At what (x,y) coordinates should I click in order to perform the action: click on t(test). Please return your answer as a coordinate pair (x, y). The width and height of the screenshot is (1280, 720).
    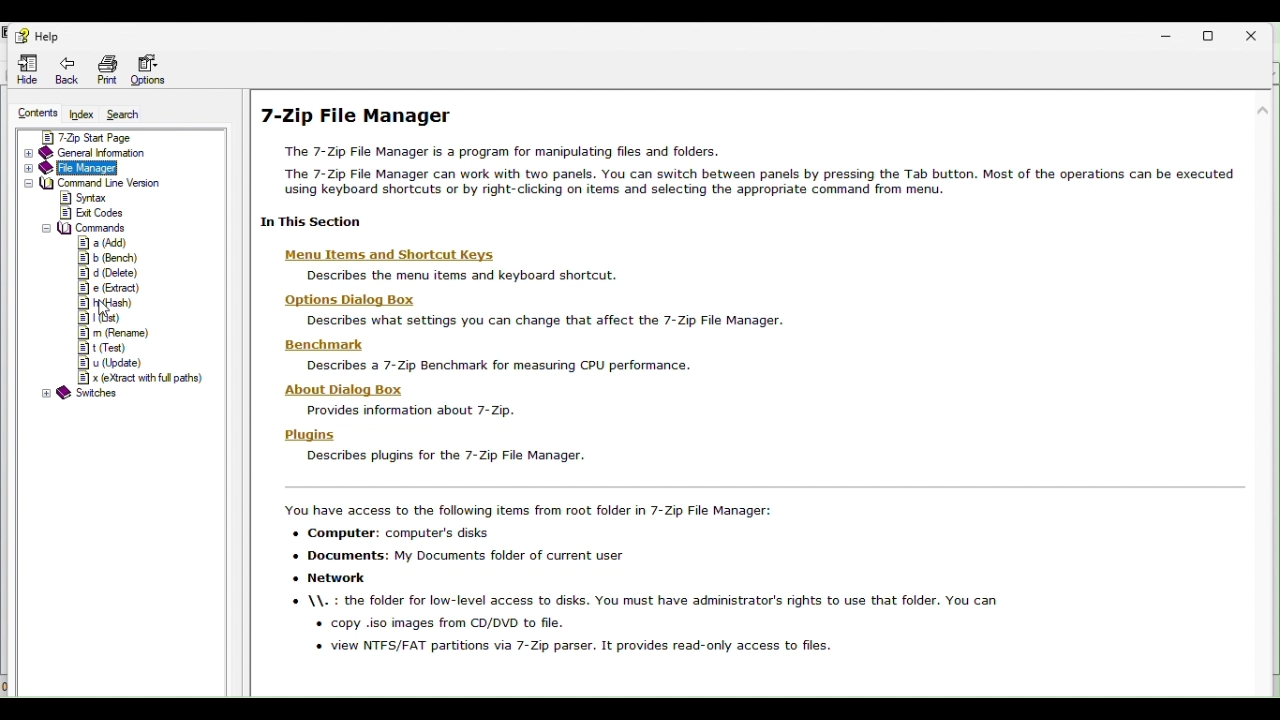
    Looking at the image, I should click on (100, 349).